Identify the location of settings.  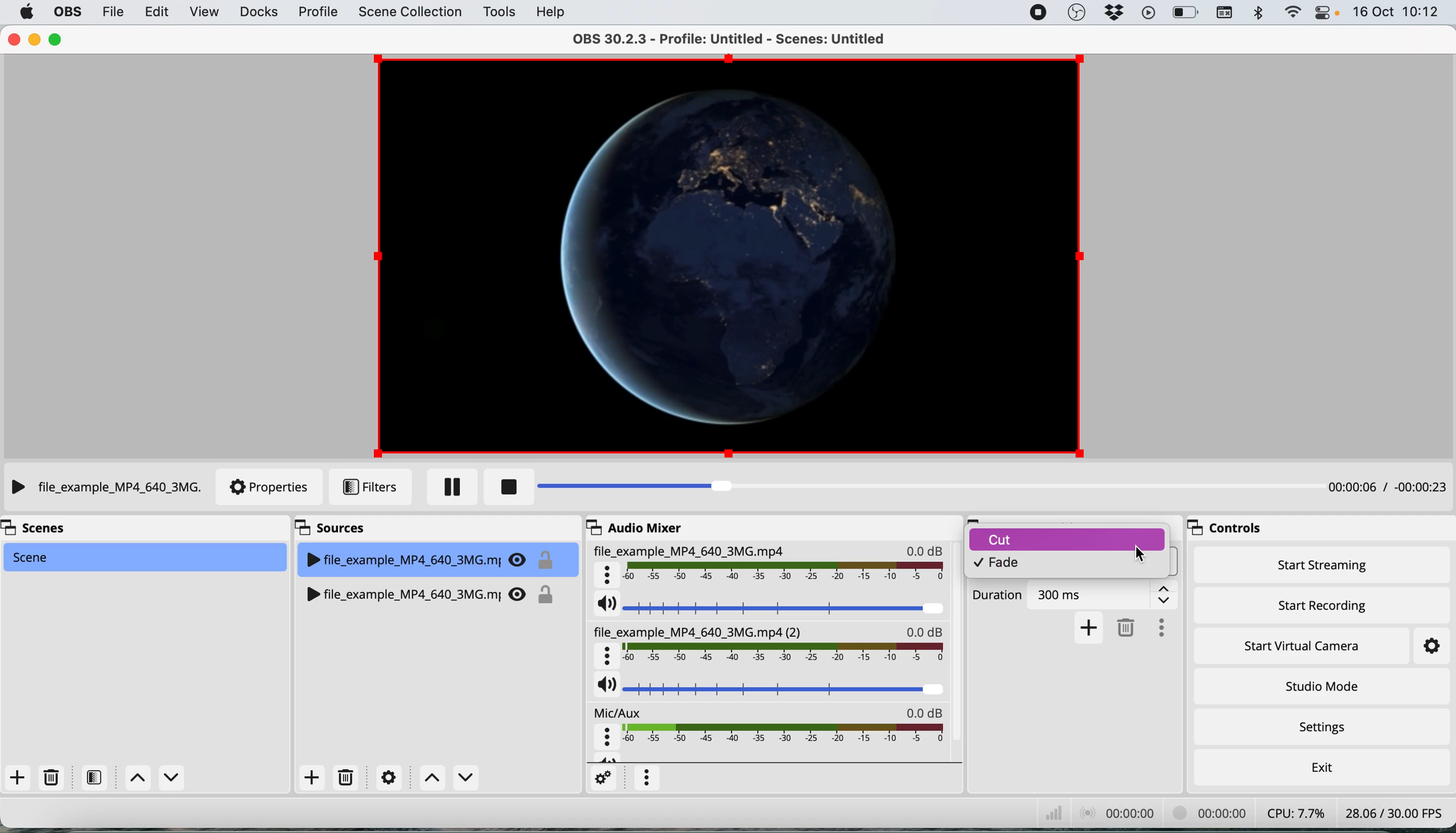
(385, 778).